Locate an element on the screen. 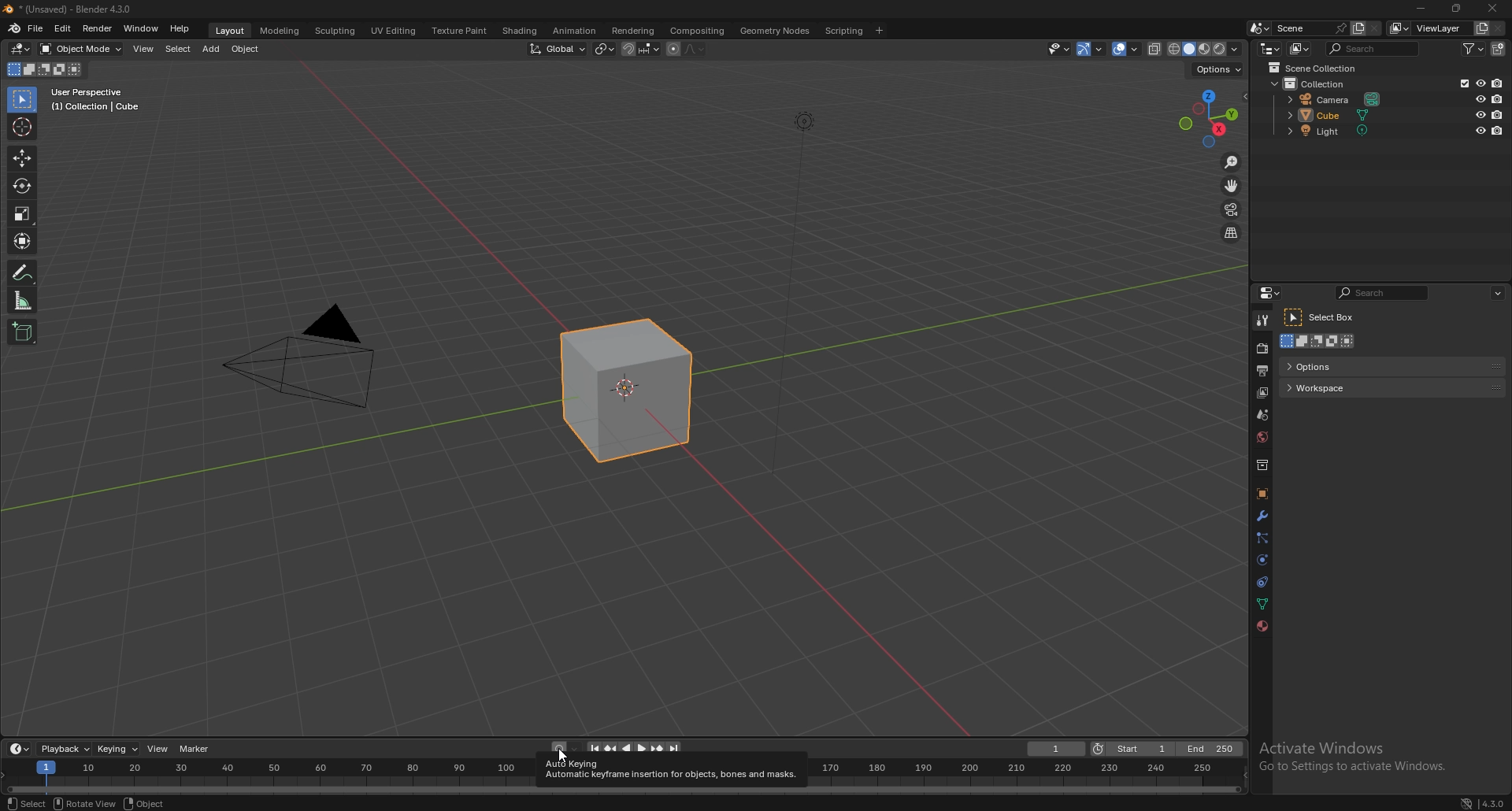 The image size is (1512, 811). data is located at coordinates (1264, 602).